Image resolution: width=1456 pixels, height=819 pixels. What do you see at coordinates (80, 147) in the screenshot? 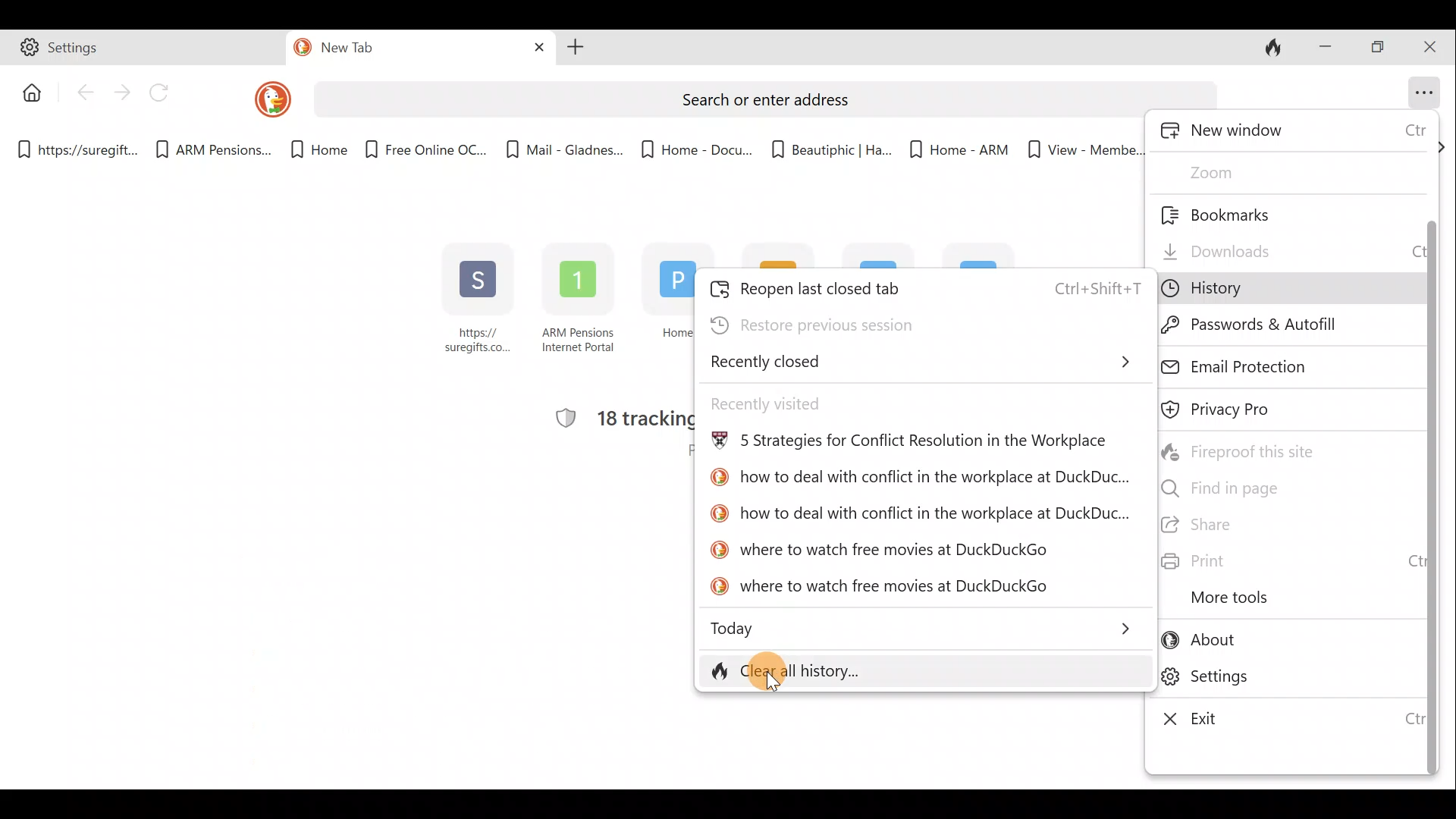
I see `https://suregitt...` at bounding box center [80, 147].